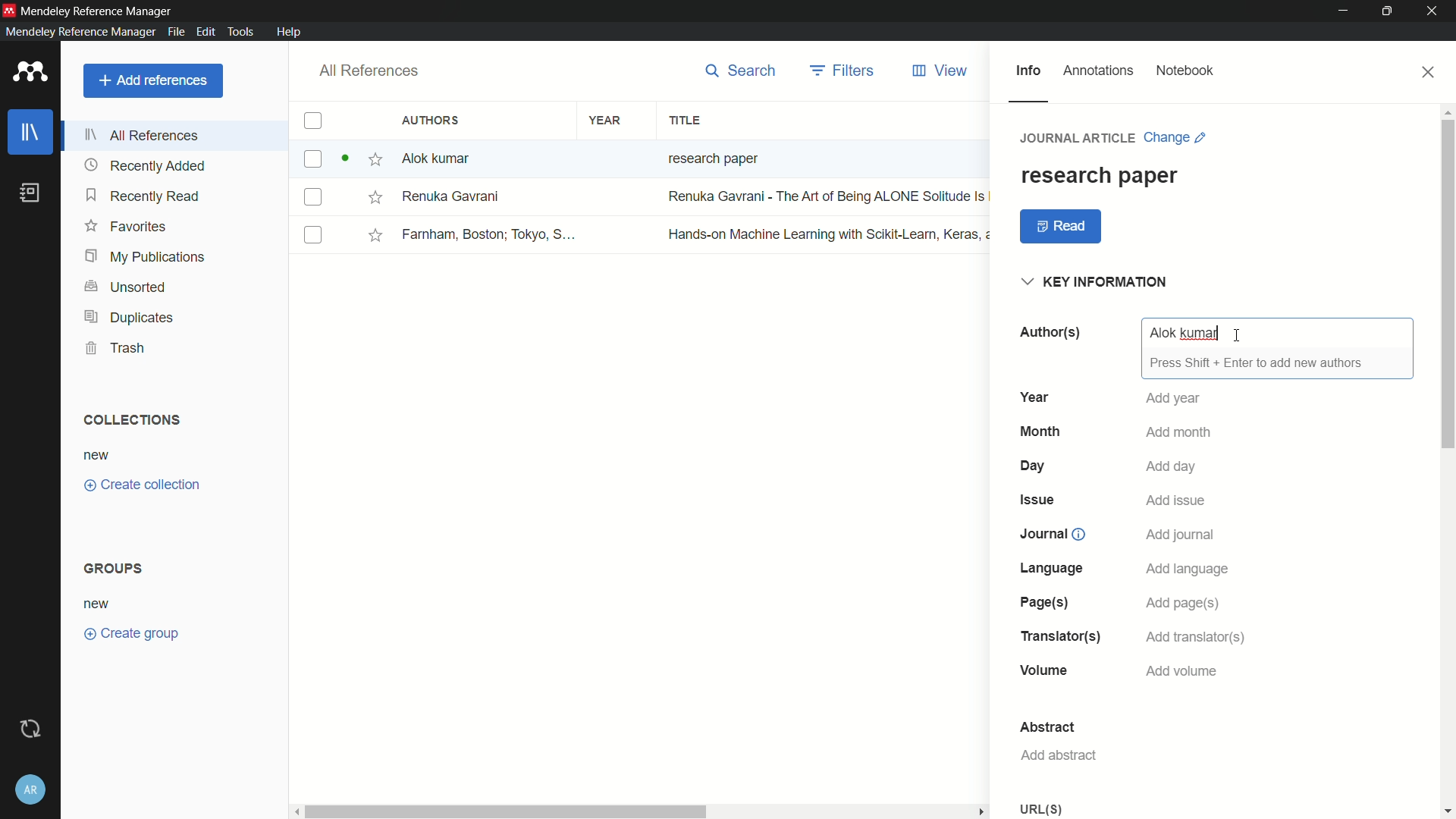 The width and height of the screenshot is (1456, 819). What do you see at coordinates (143, 135) in the screenshot?
I see `all references` at bounding box center [143, 135].